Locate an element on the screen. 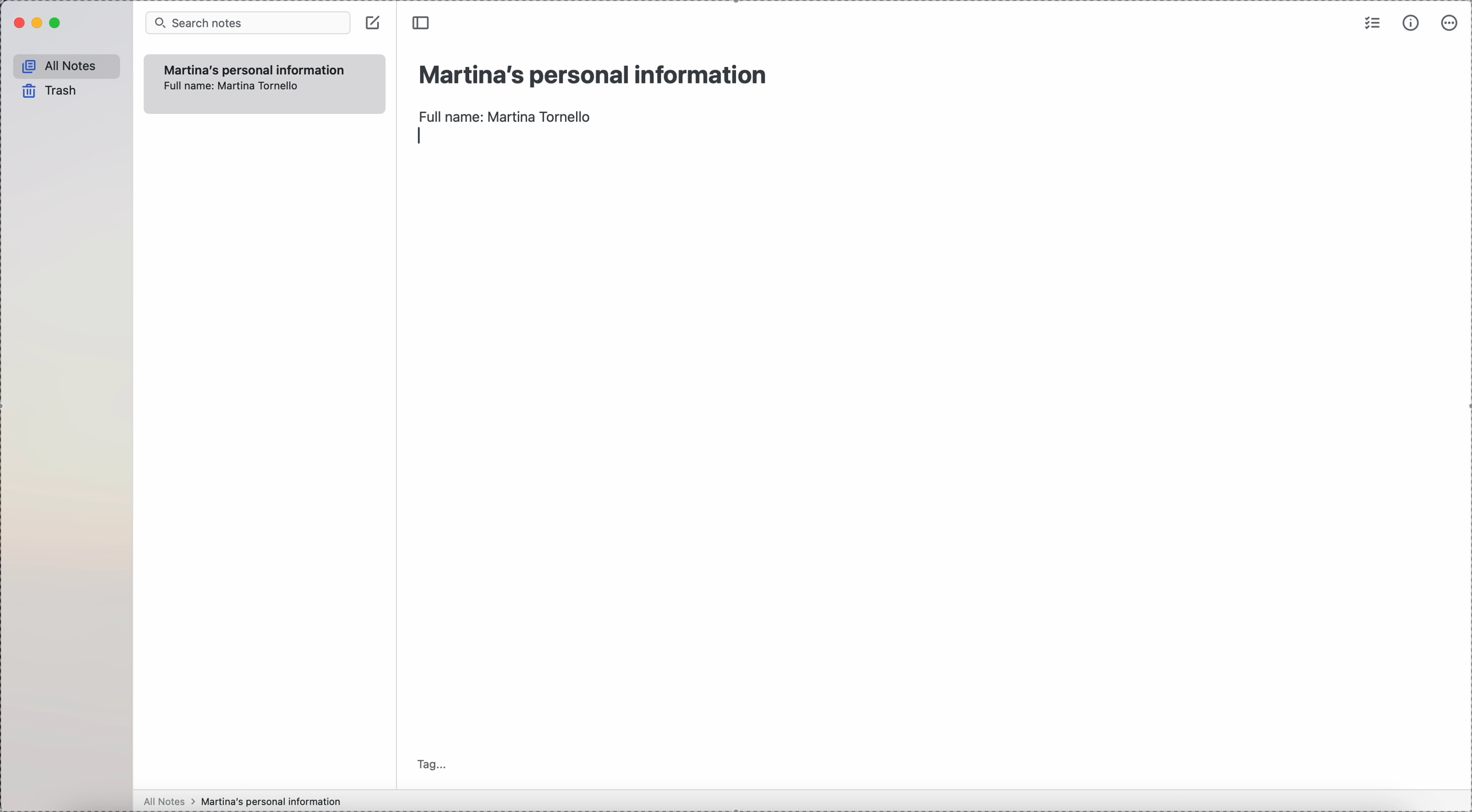  close Simplenote is located at coordinates (18, 24).